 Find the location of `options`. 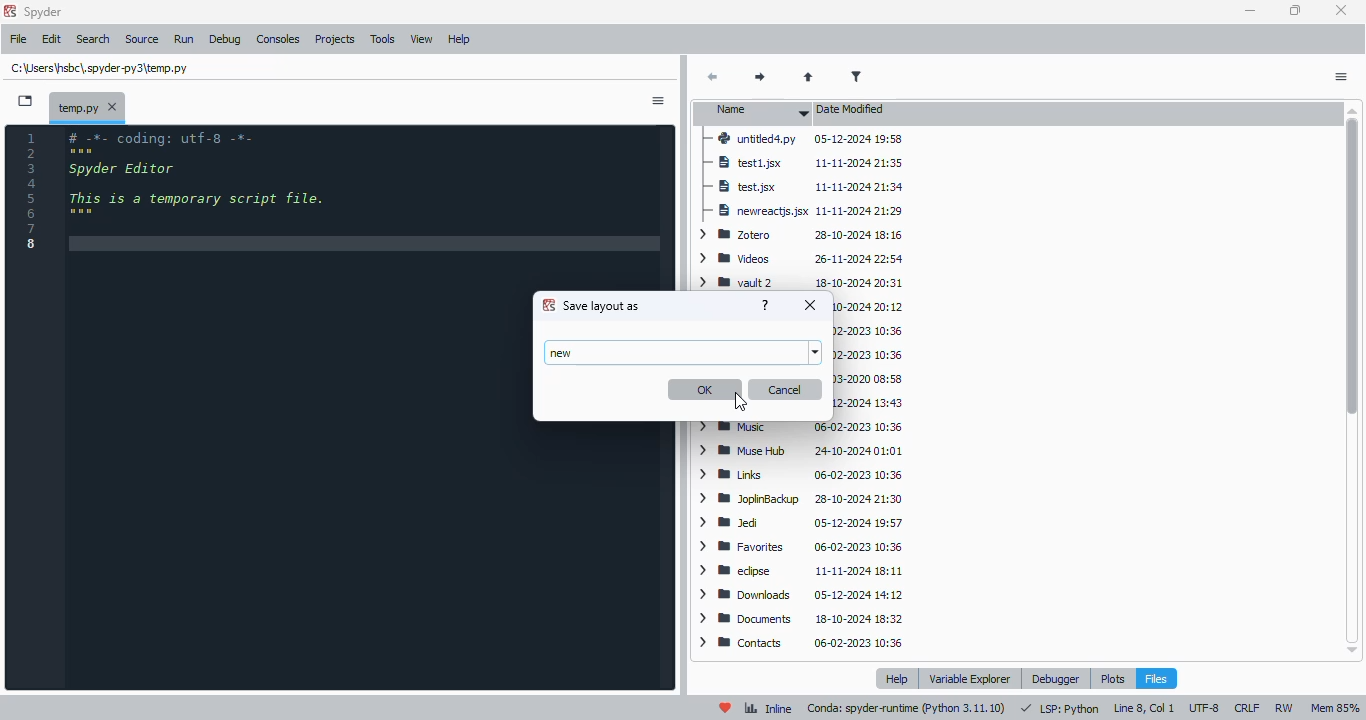

options is located at coordinates (1341, 78).